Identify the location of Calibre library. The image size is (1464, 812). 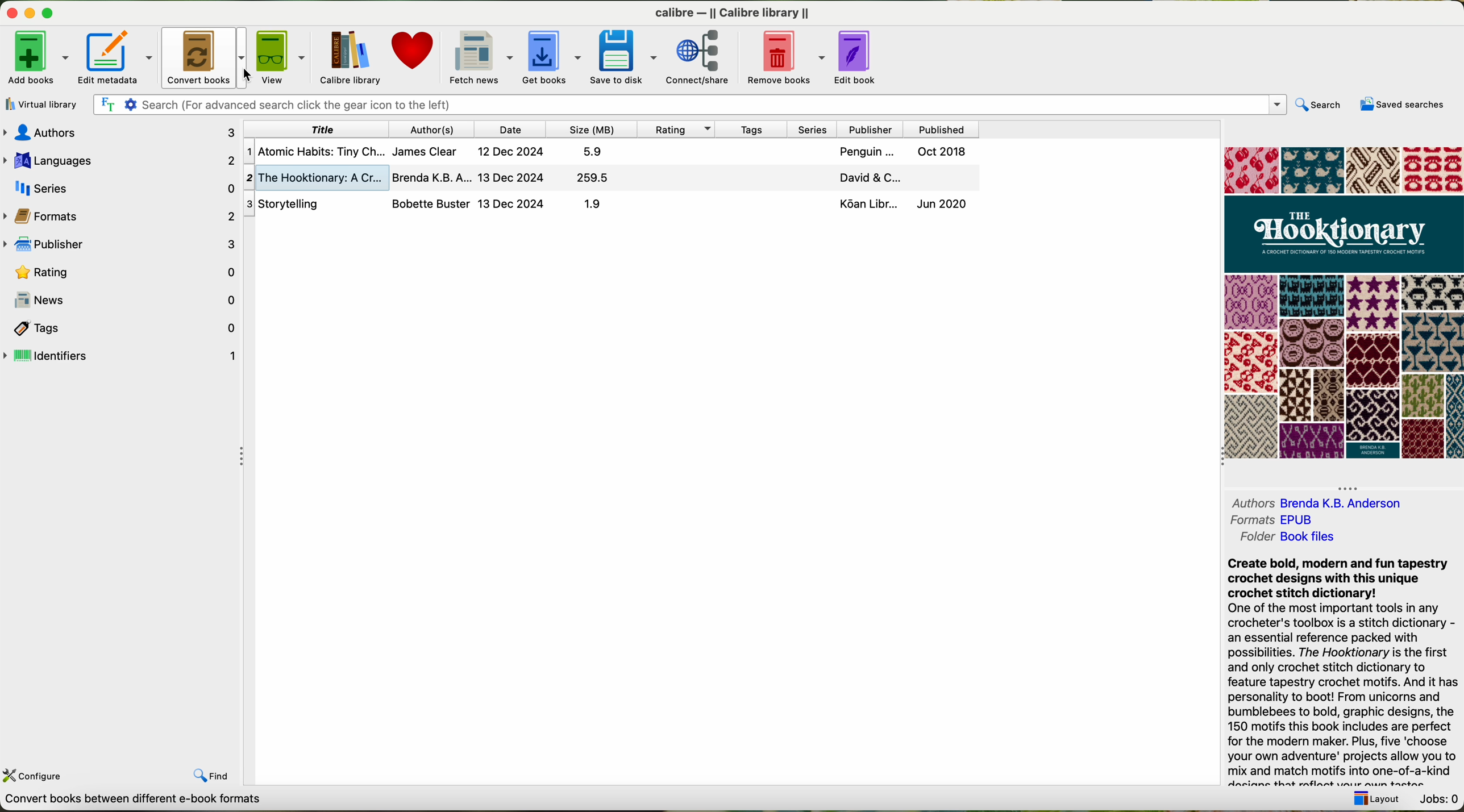
(352, 58).